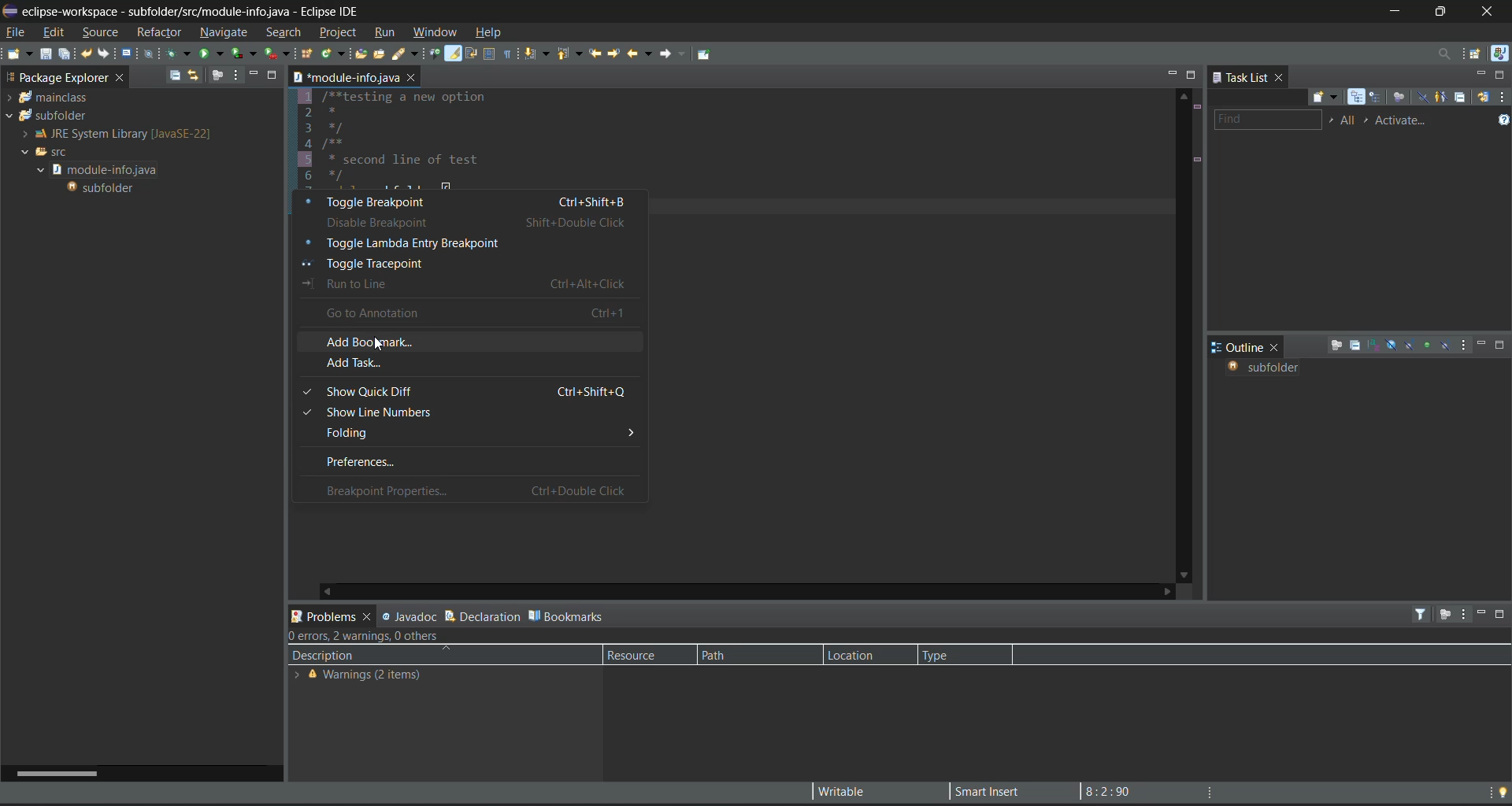  What do you see at coordinates (1370, 120) in the screenshot?
I see `select active task` at bounding box center [1370, 120].